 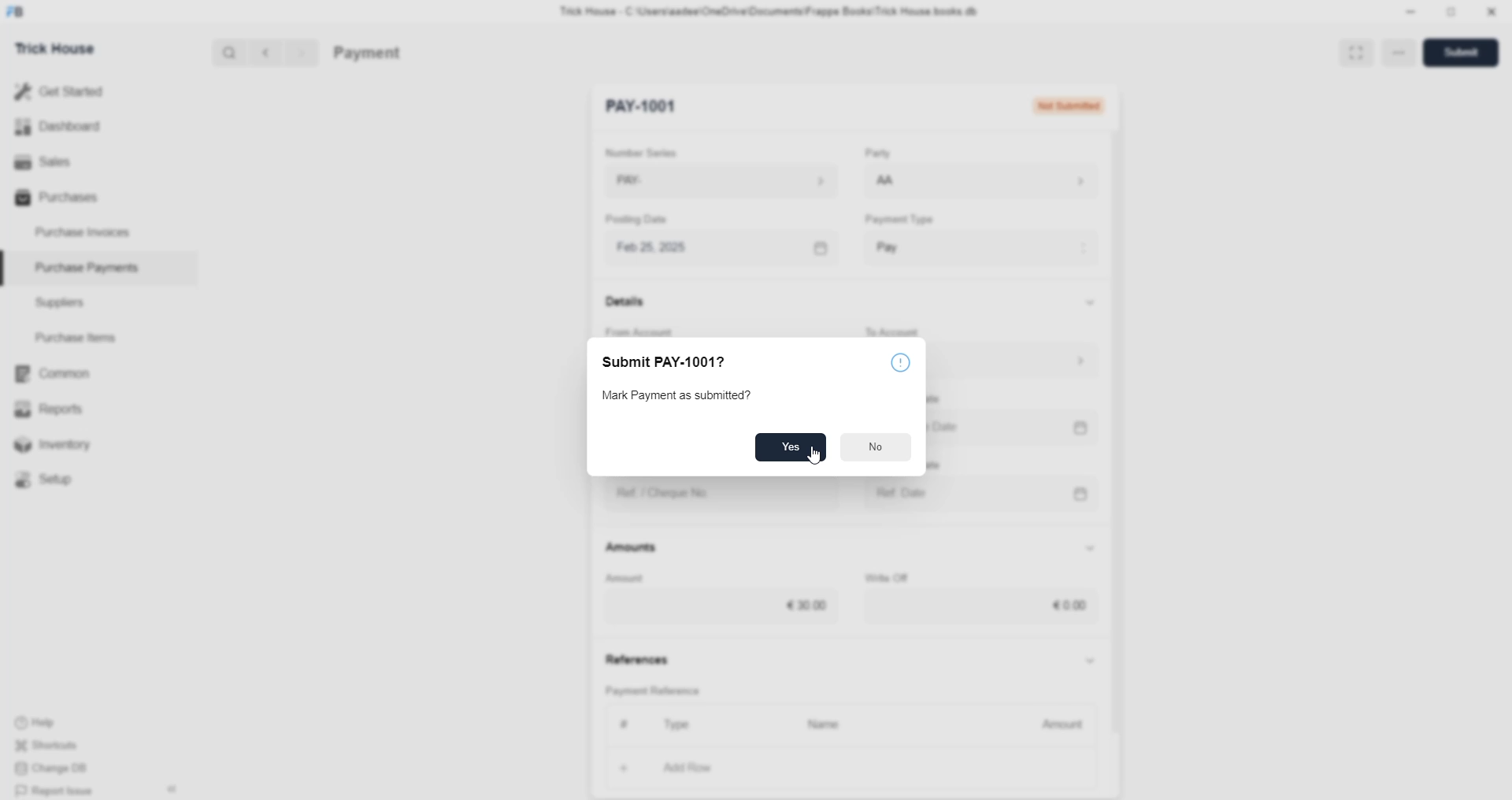 I want to click on to account, so click(x=916, y=328).